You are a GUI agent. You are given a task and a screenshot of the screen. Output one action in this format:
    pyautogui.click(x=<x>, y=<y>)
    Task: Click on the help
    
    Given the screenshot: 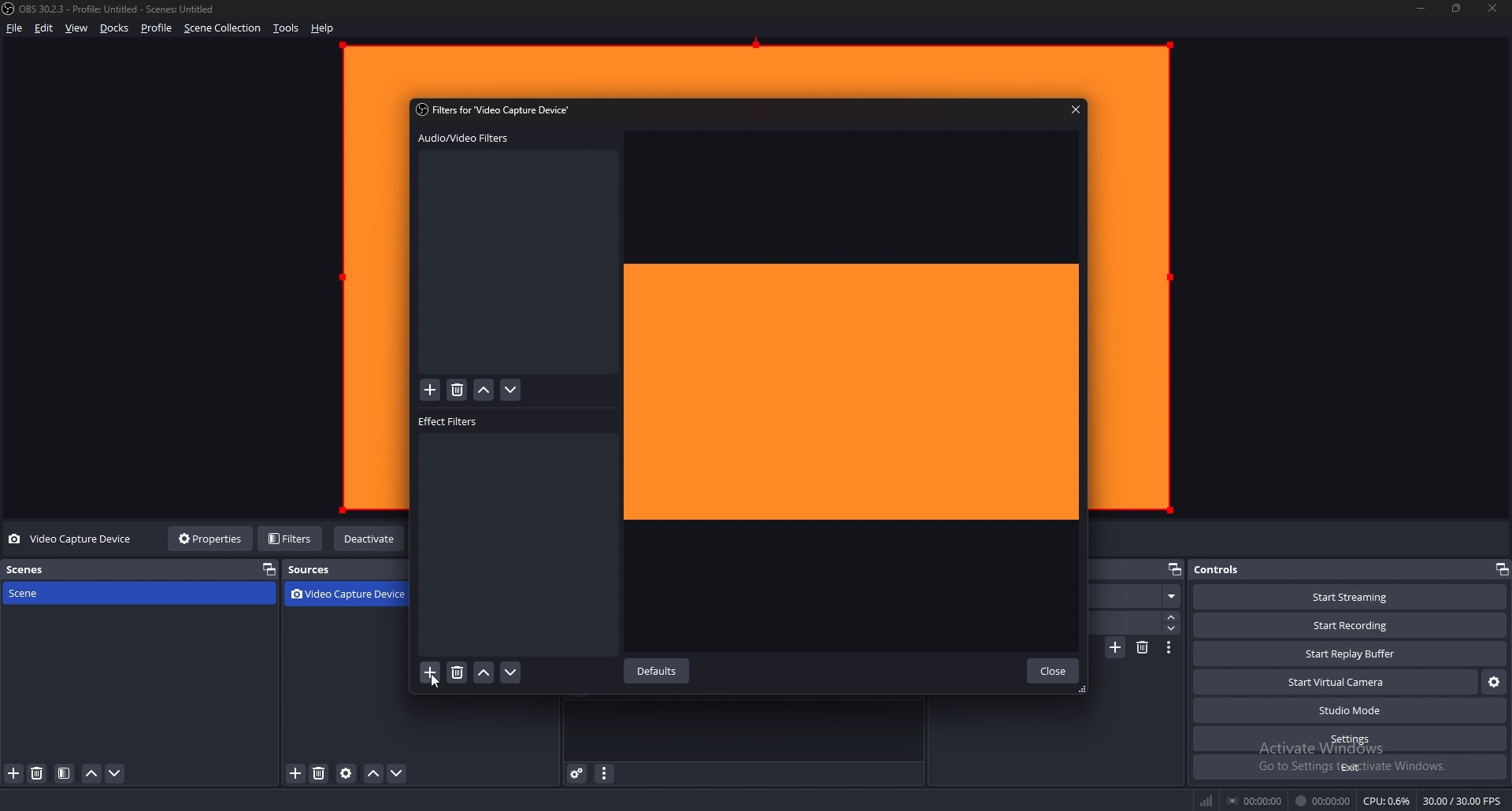 What is the action you would take?
    pyautogui.click(x=323, y=28)
    